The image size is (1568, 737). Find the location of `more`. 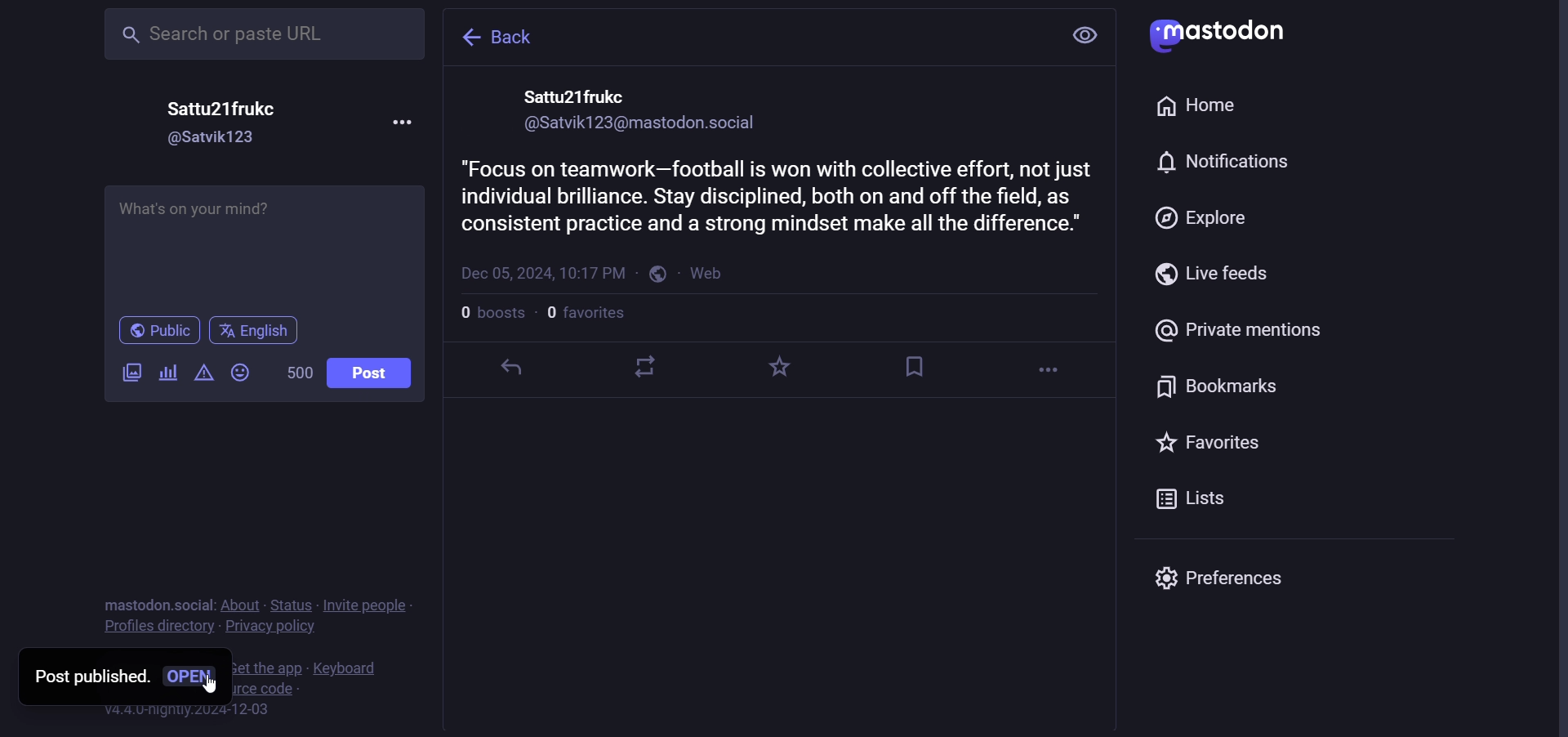

more is located at coordinates (403, 123).